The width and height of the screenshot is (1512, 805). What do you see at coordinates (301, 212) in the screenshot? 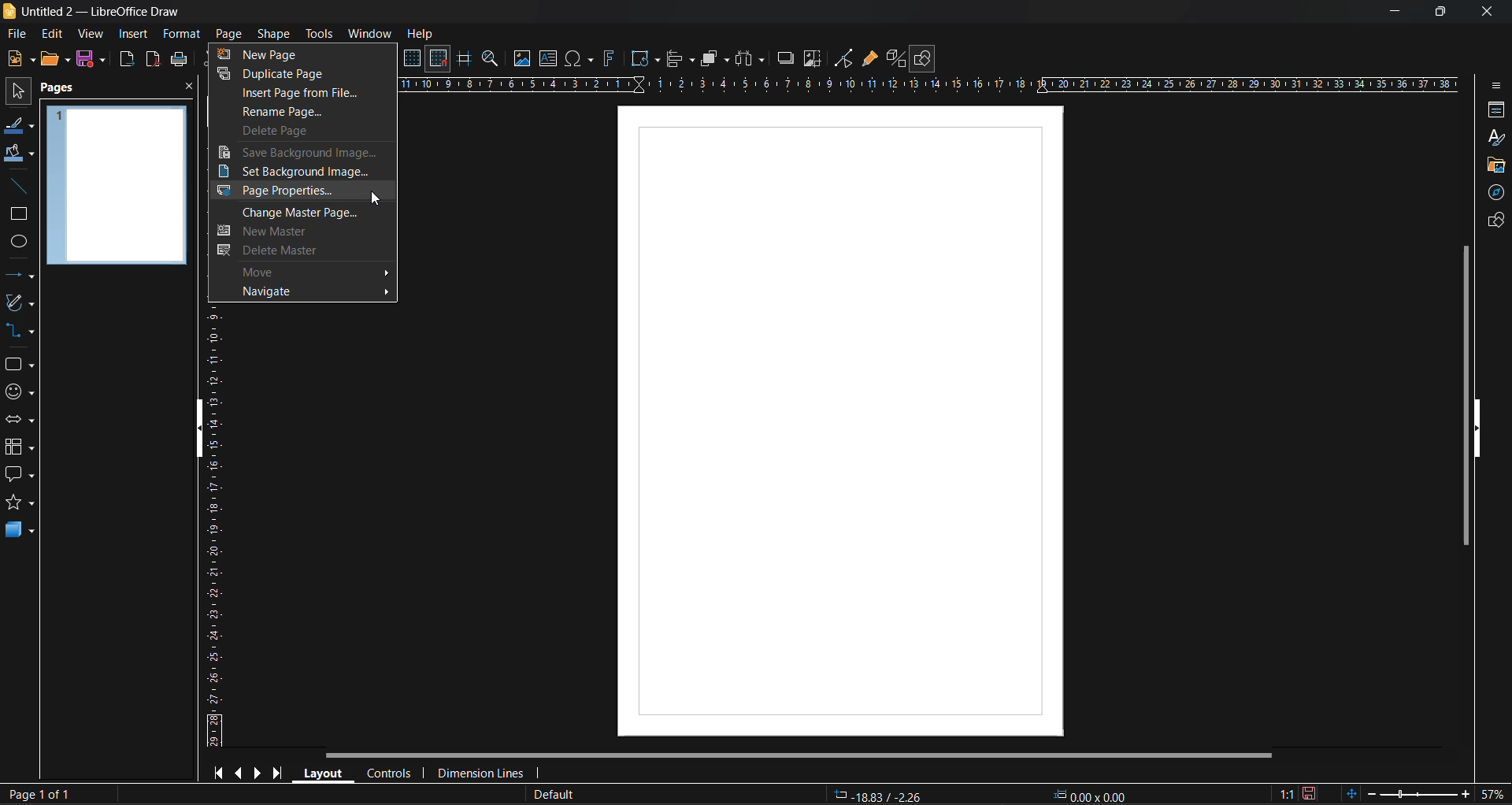
I see `change master page` at bounding box center [301, 212].